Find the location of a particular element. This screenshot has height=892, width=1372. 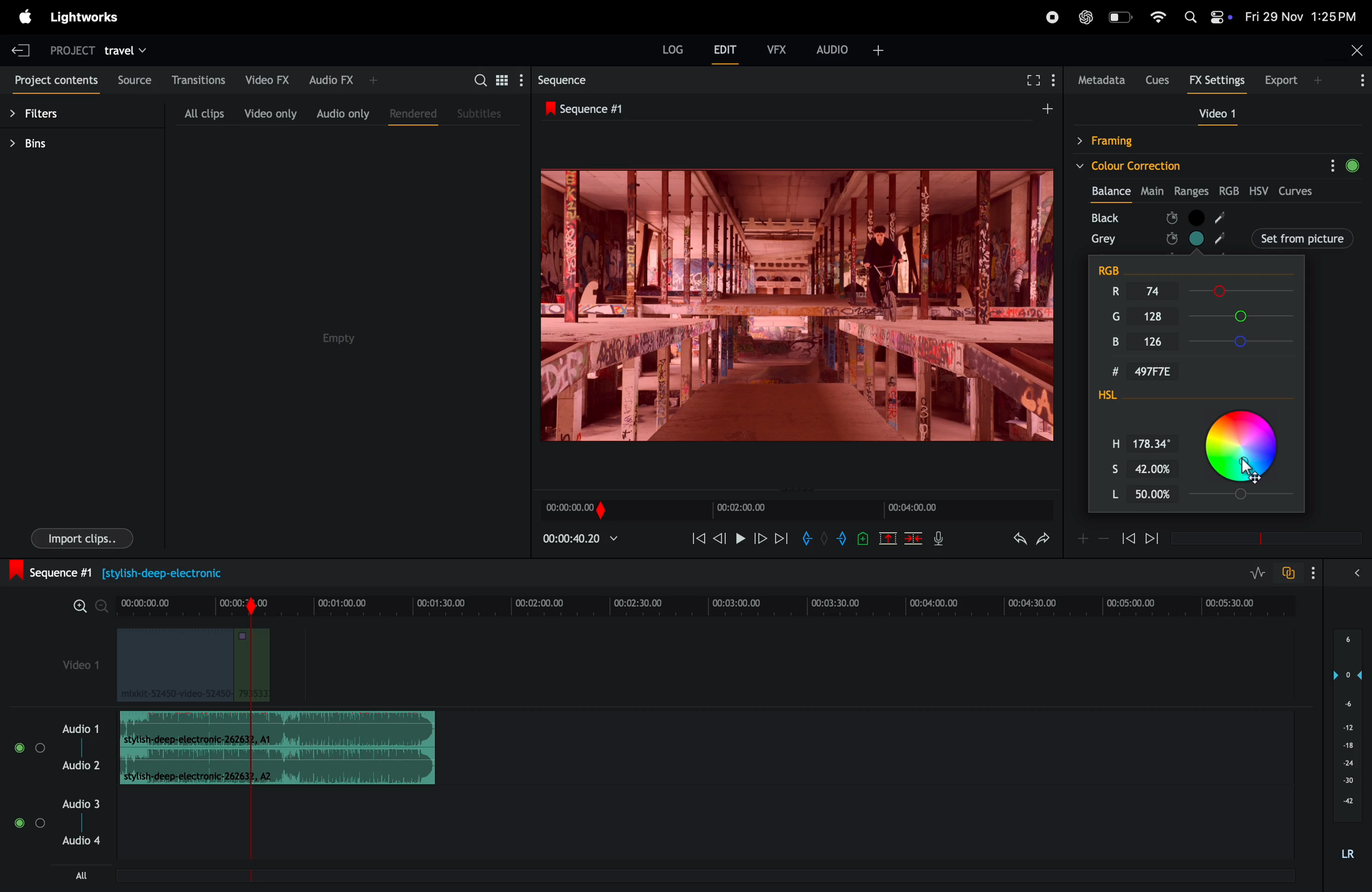

zoom in zoom out is located at coordinates (1092, 538).